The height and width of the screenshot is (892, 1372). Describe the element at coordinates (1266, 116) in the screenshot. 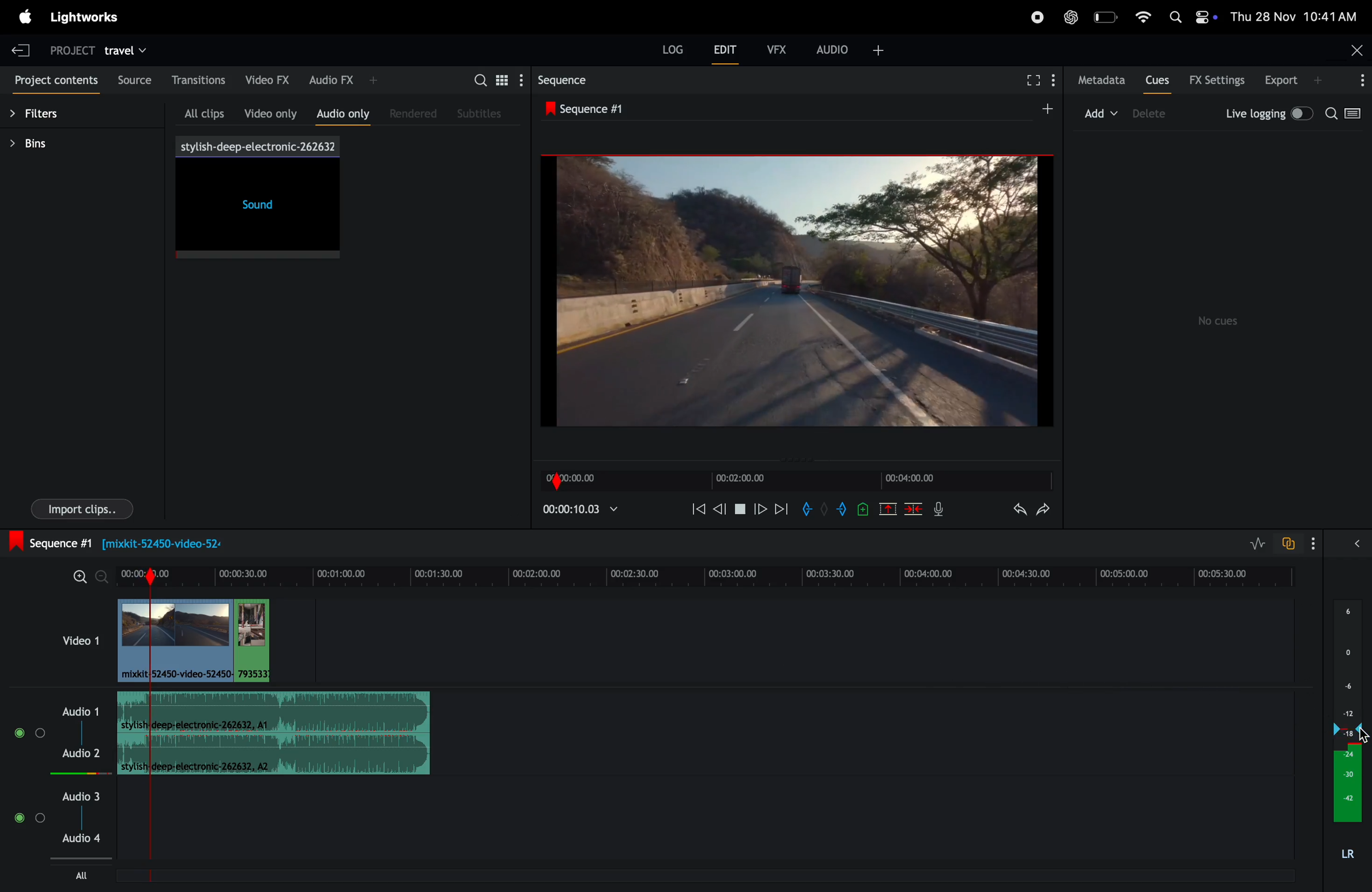

I see `live logging` at that location.